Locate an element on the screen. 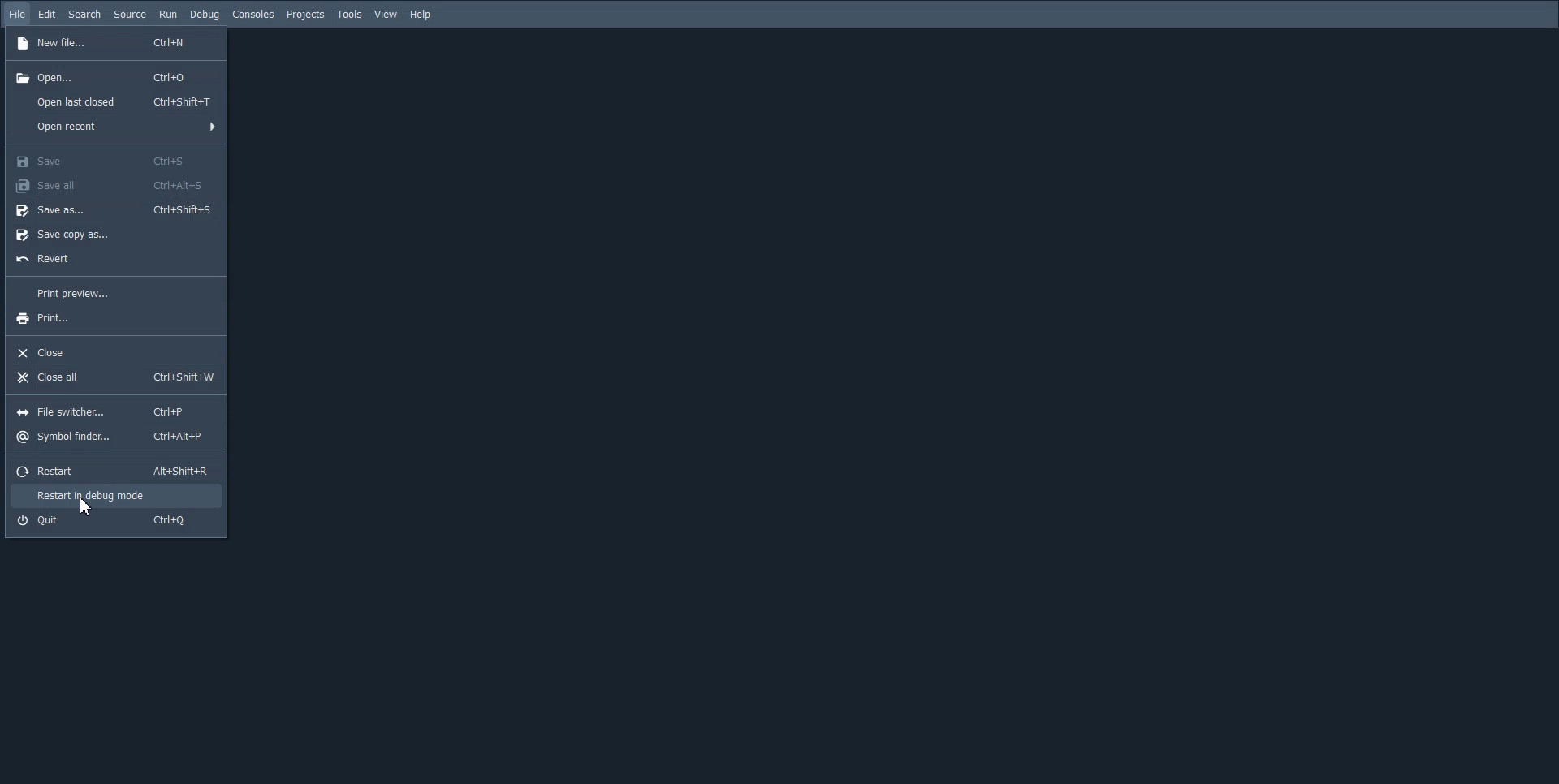  cursor is located at coordinates (86, 506).